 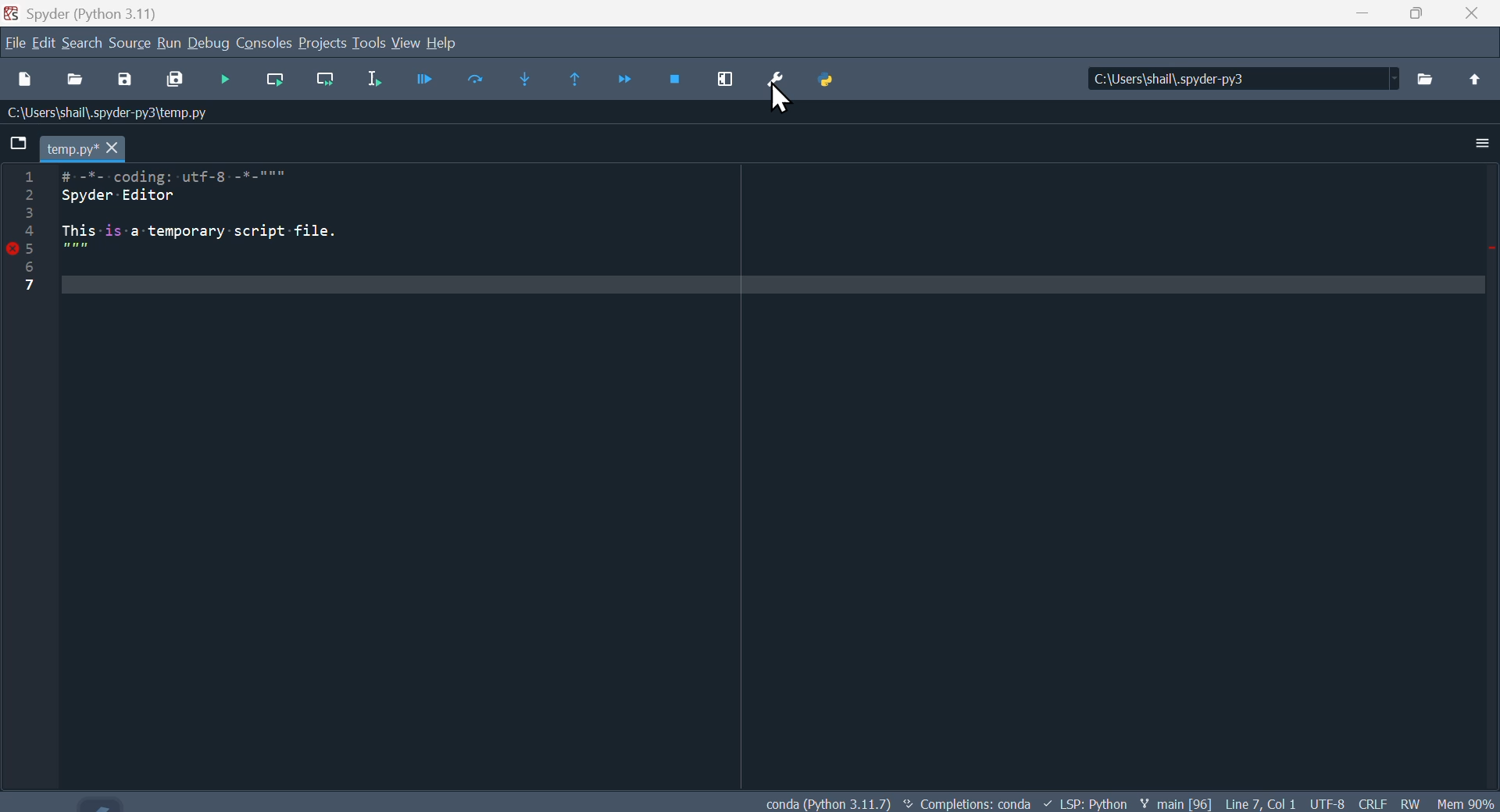 I want to click on Run cell, so click(x=477, y=81).